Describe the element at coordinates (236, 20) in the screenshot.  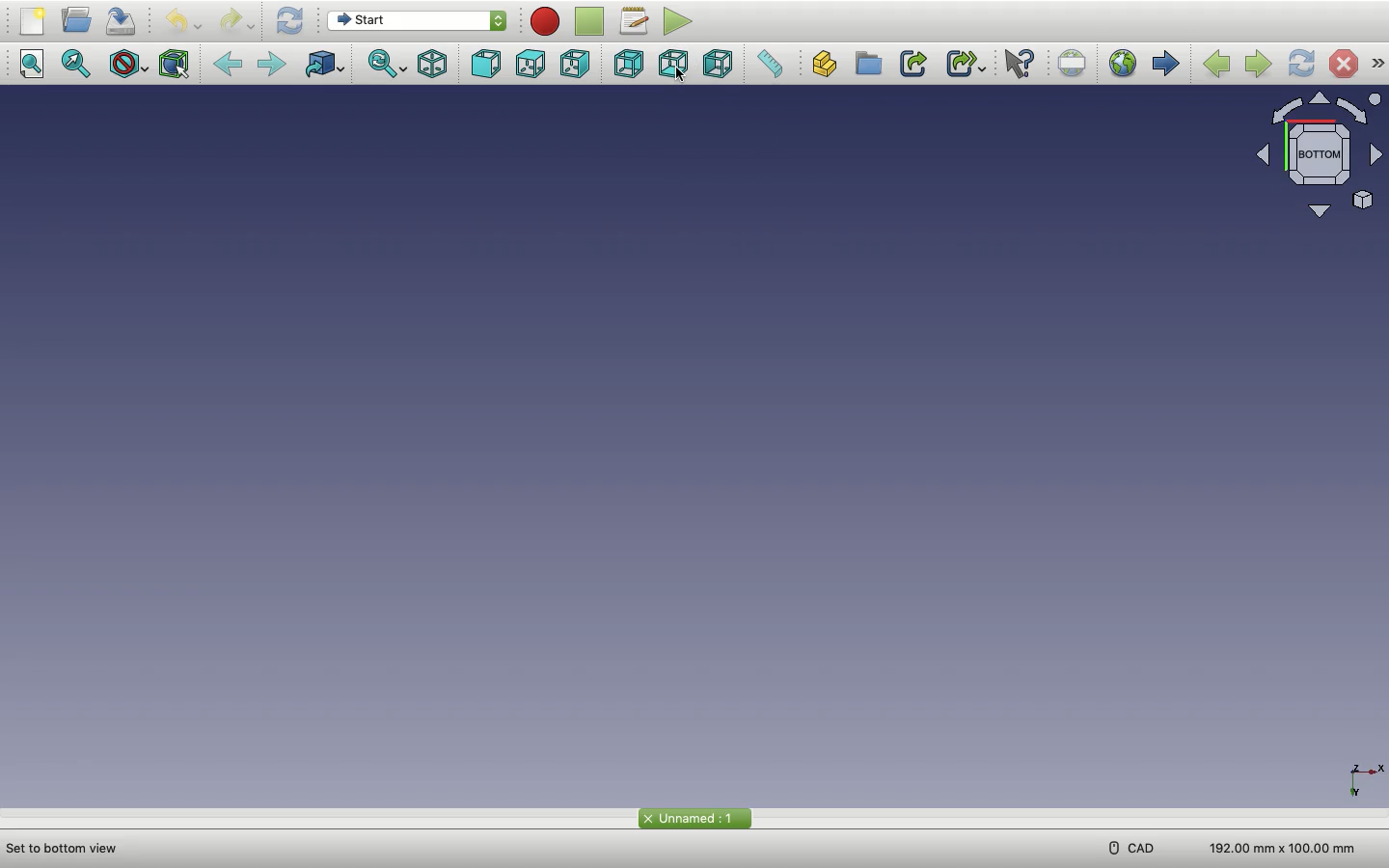
I see `Redo` at that location.